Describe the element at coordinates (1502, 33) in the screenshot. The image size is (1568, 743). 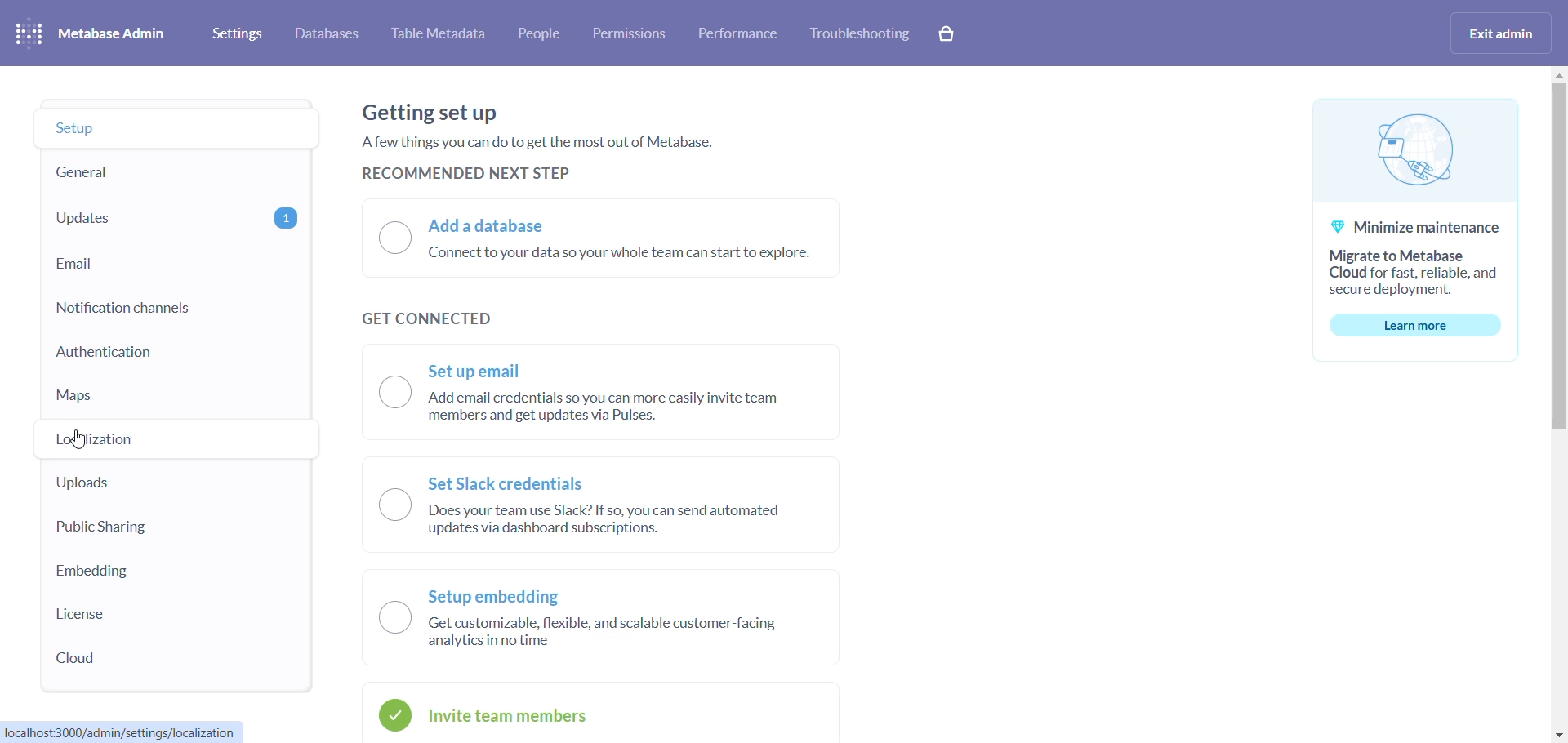
I see `exit admin` at that location.